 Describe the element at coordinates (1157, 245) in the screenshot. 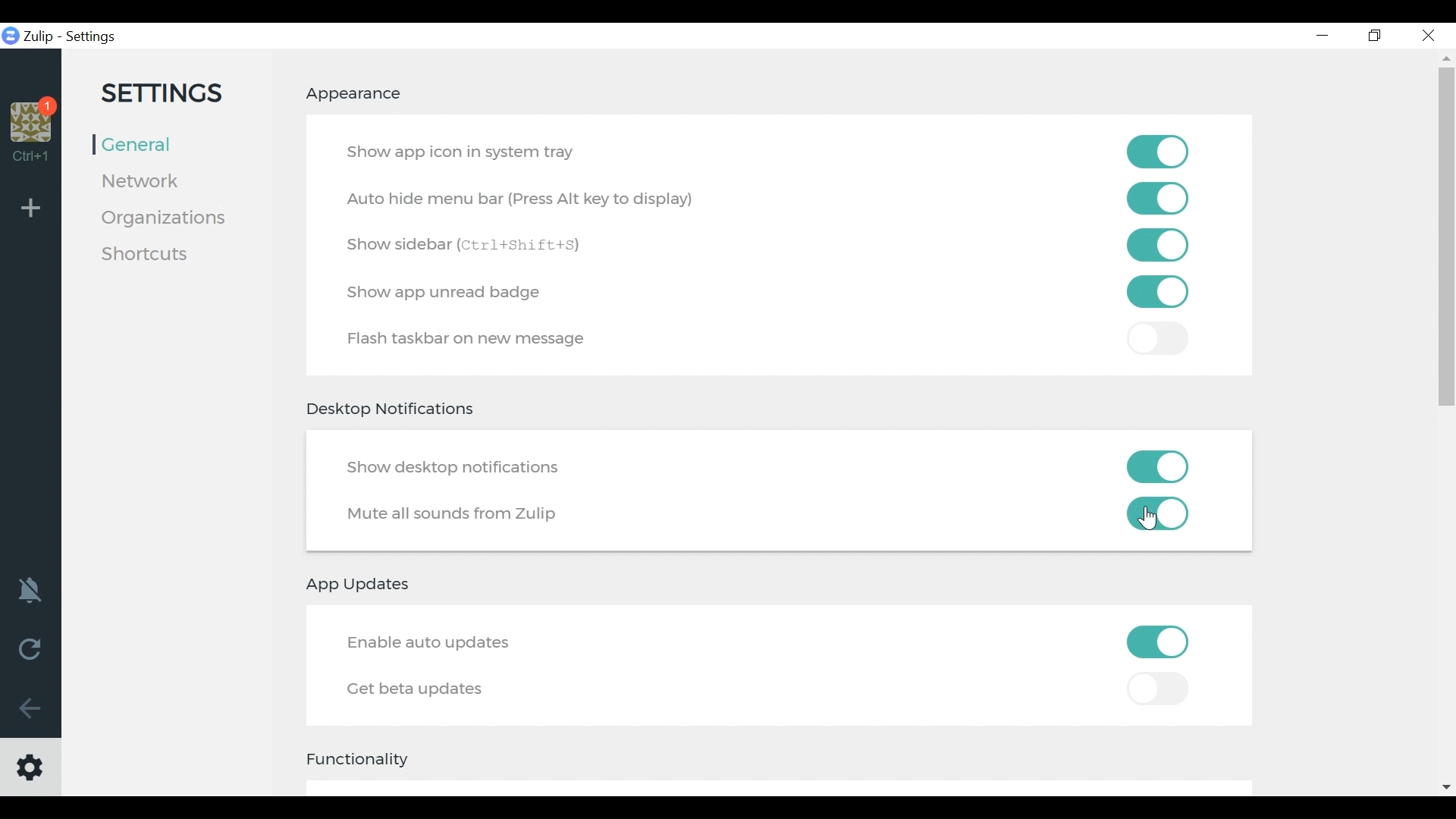

I see `Toggle on/off show sidebar` at that location.